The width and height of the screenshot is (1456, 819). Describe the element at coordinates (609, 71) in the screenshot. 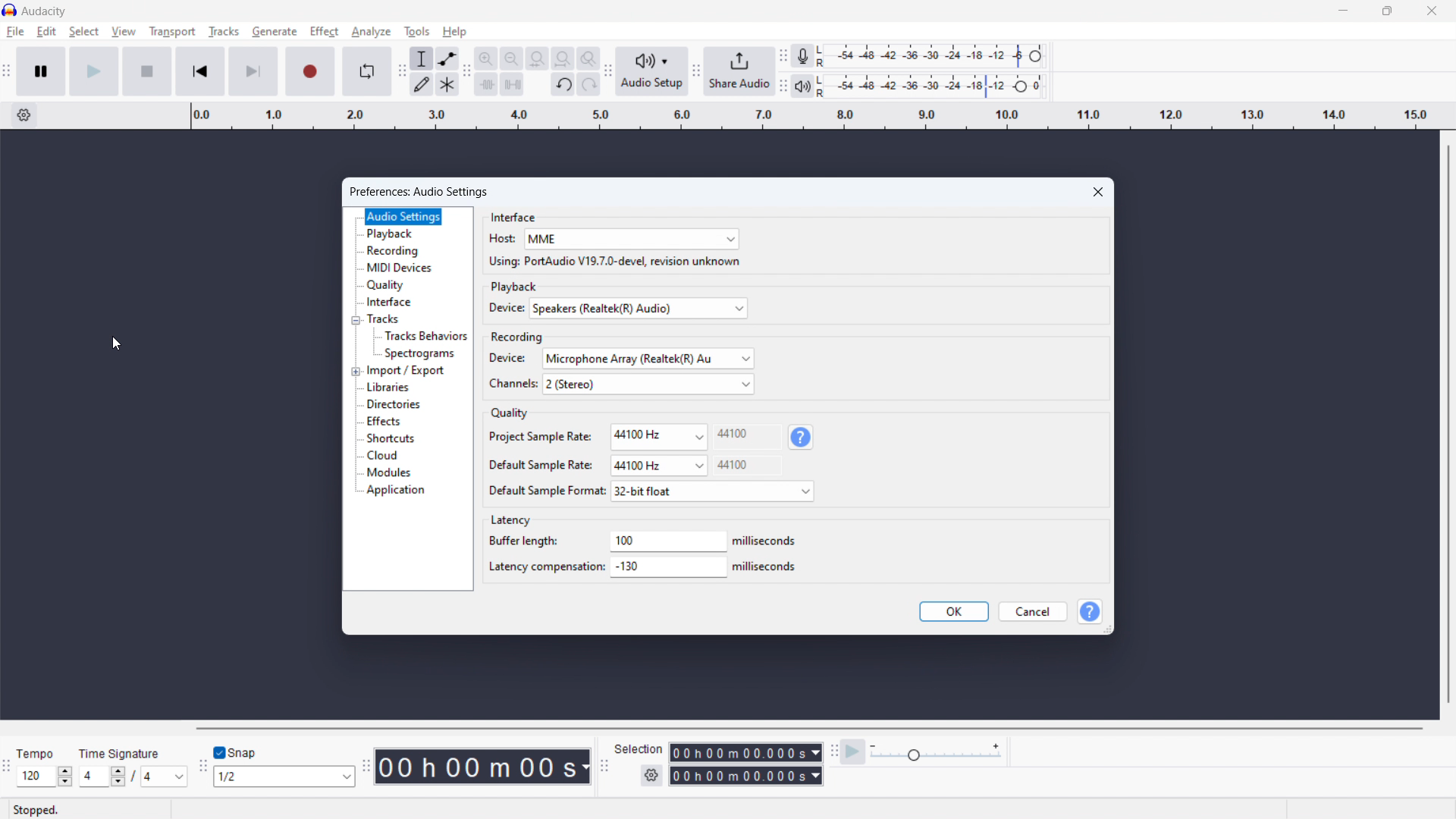

I see `audio setup toolbar` at that location.